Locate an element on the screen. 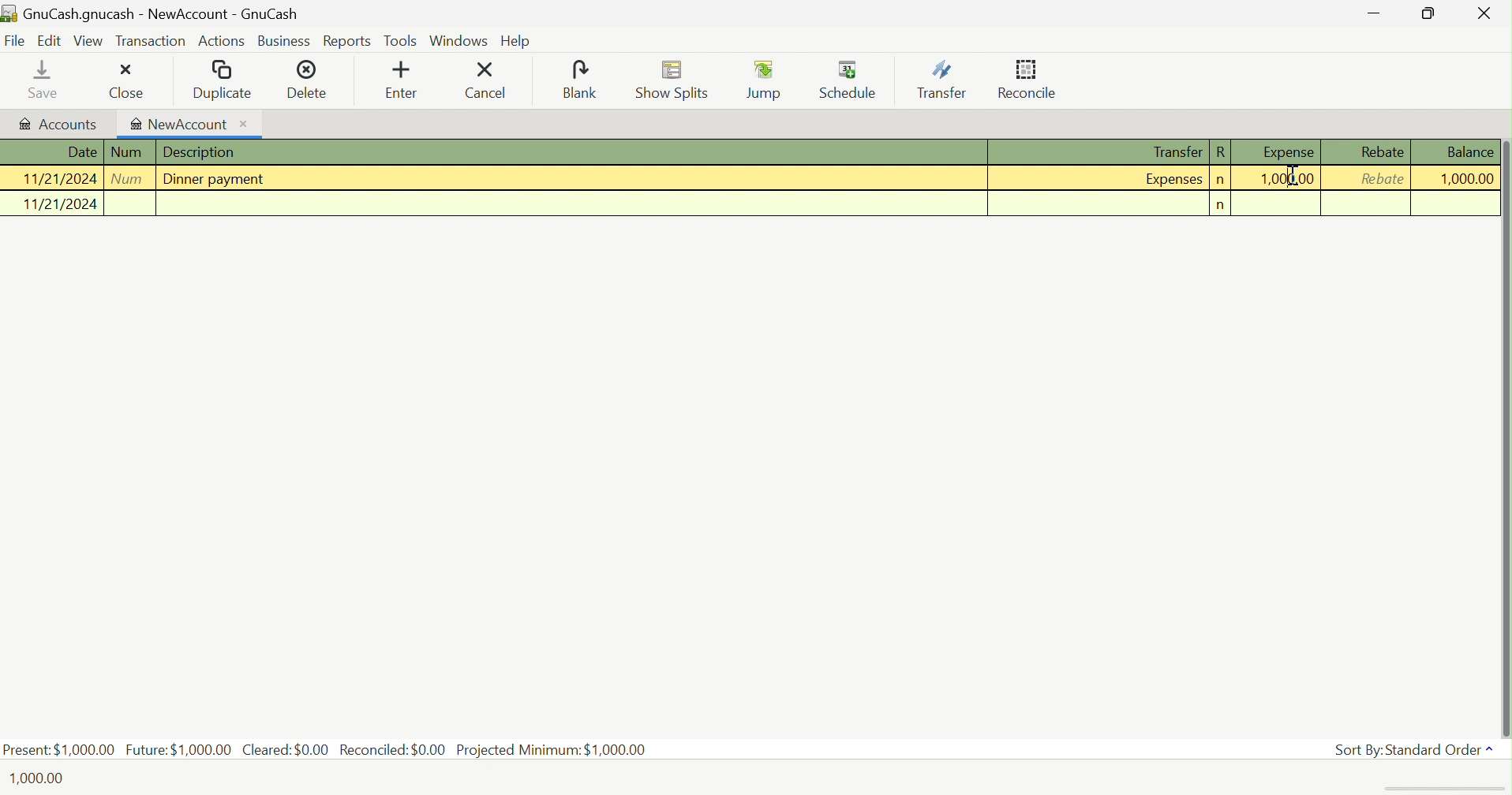  Cursor is located at coordinates (1293, 176).